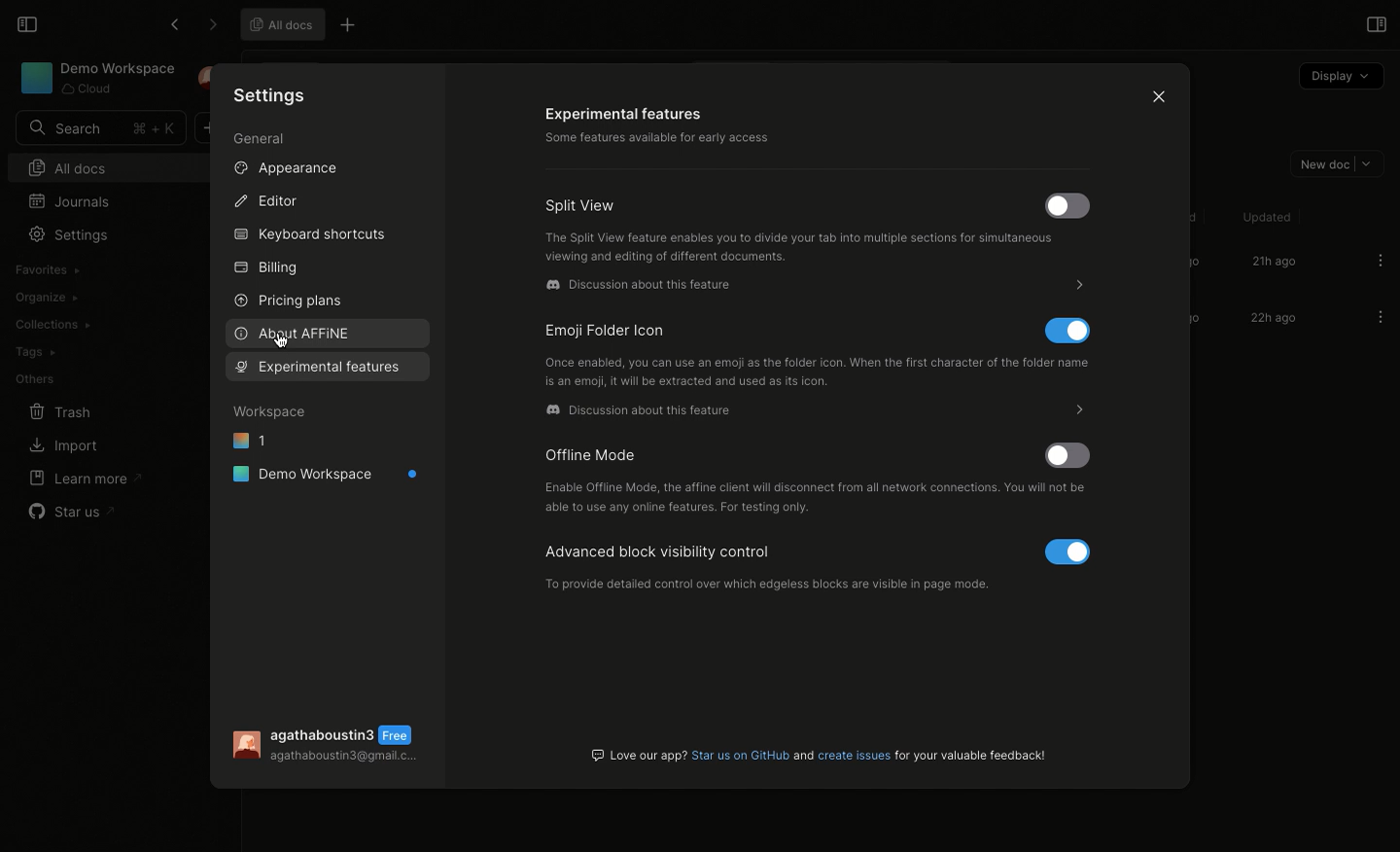  I want to click on Offline Mode, so click(593, 453).